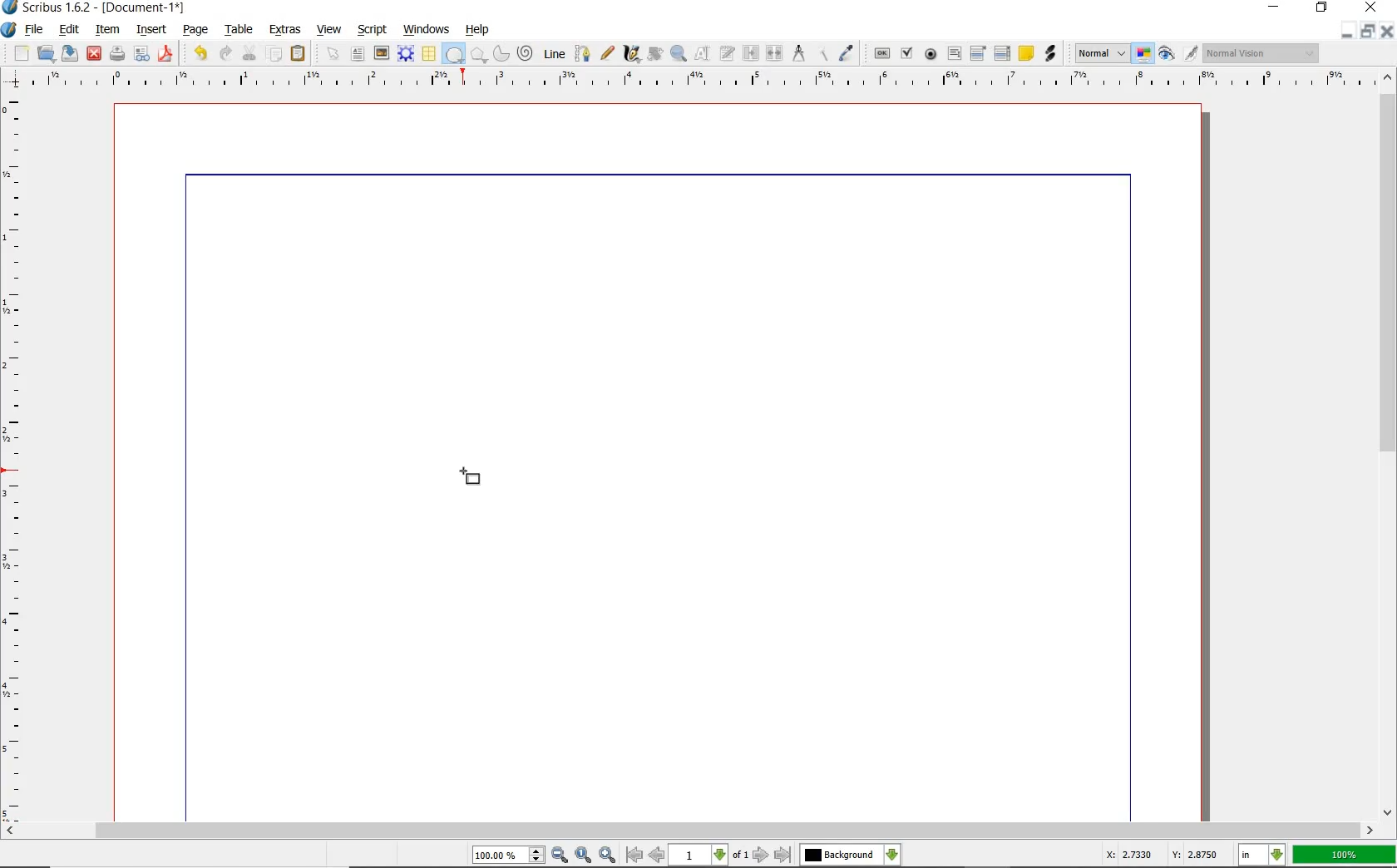 This screenshot has width=1397, height=868. What do you see at coordinates (702, 52) in the screenshot?
I see `EDIT CONTENTS OF FRAME` at bounding box center [702, 52].